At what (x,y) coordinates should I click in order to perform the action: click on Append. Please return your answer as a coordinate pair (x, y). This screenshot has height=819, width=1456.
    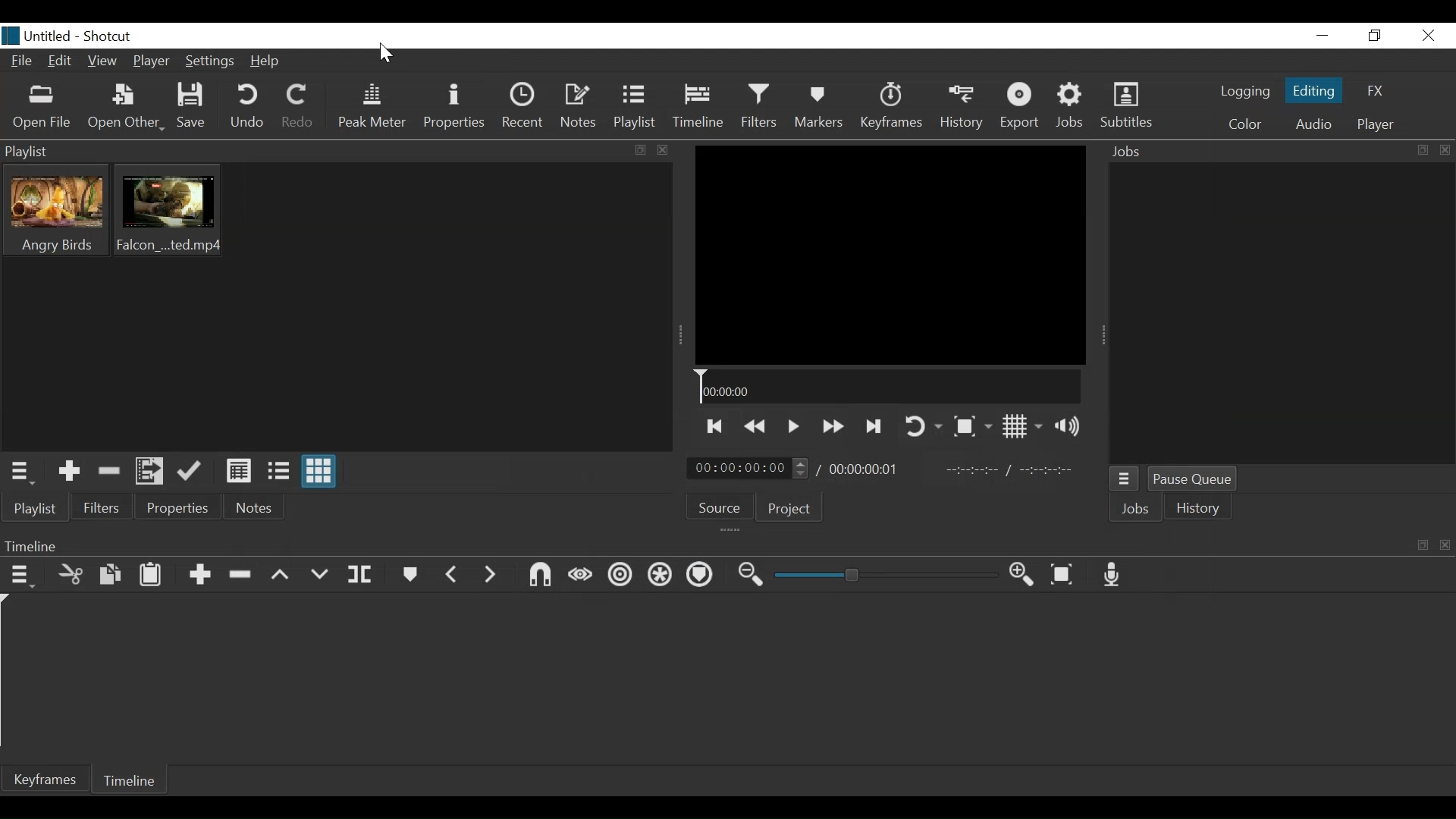
    Looking at the image, I should click on (199, 576).